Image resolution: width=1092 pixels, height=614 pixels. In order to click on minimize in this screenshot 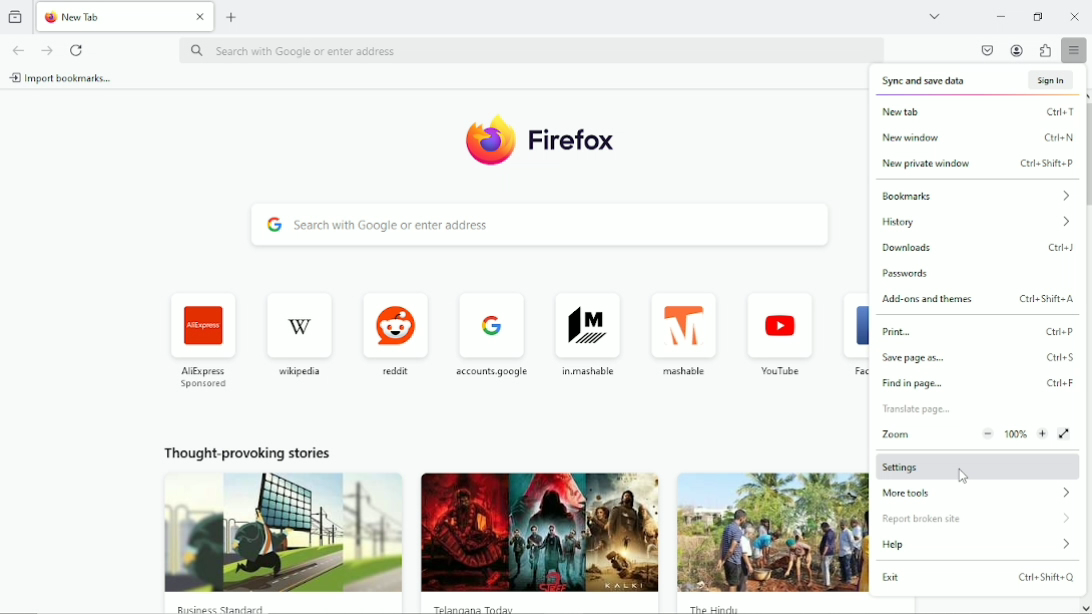, I will do `click(999, 16)`.